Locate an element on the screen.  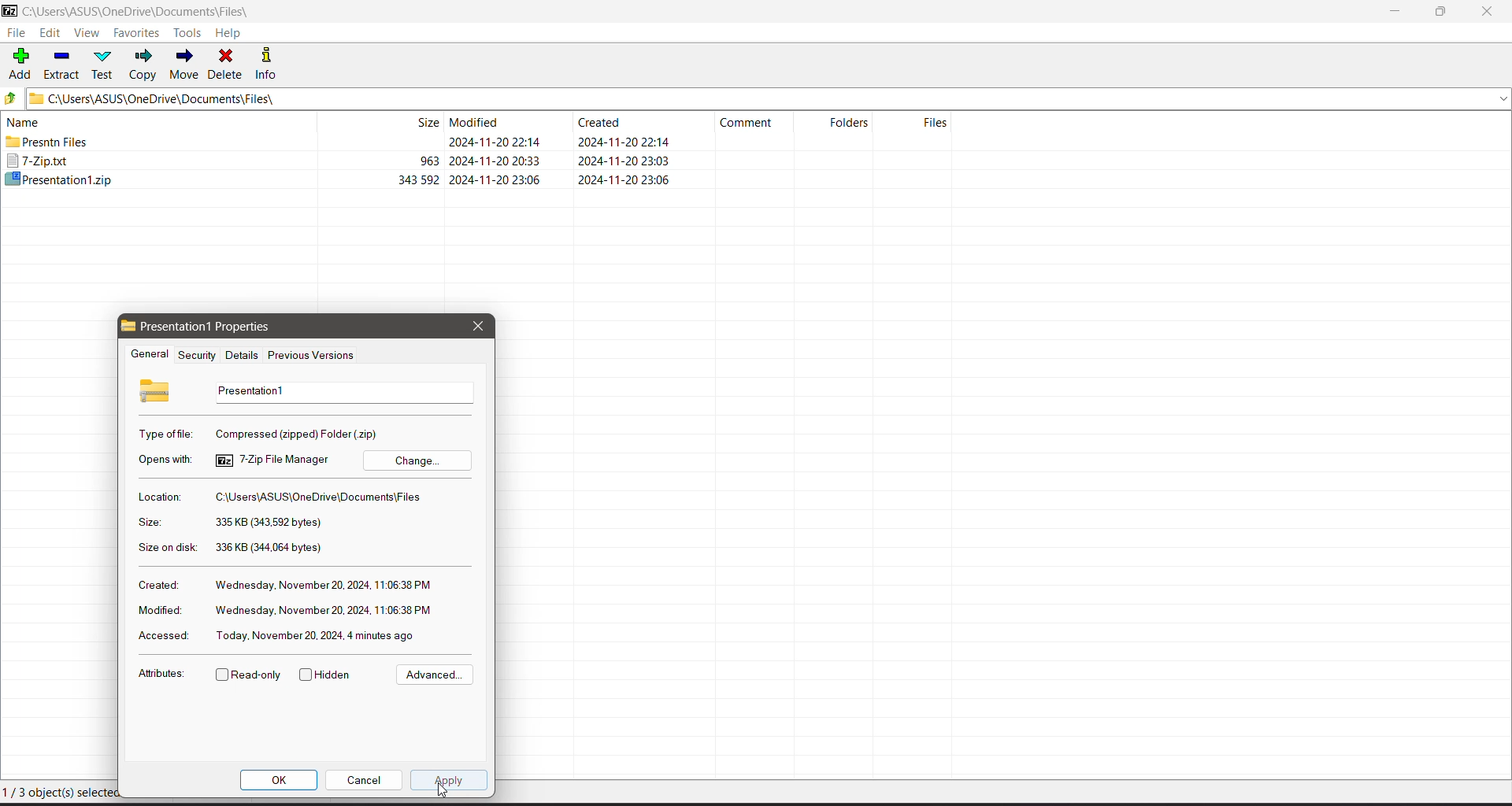
Restore Down is located at coordinates (1442, 12).